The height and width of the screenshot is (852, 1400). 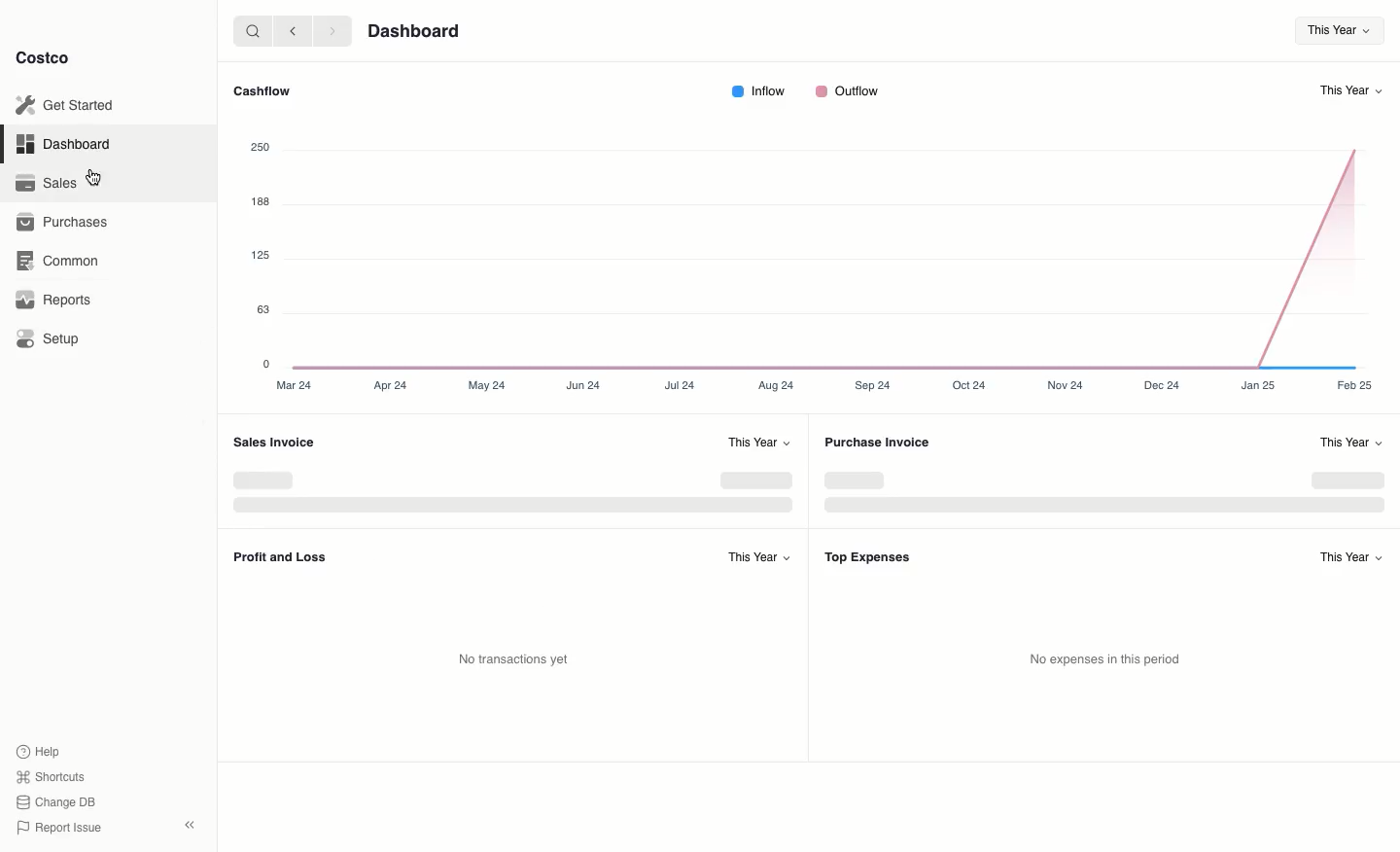 I want to click on Change DB, so click(x=58, y=799).